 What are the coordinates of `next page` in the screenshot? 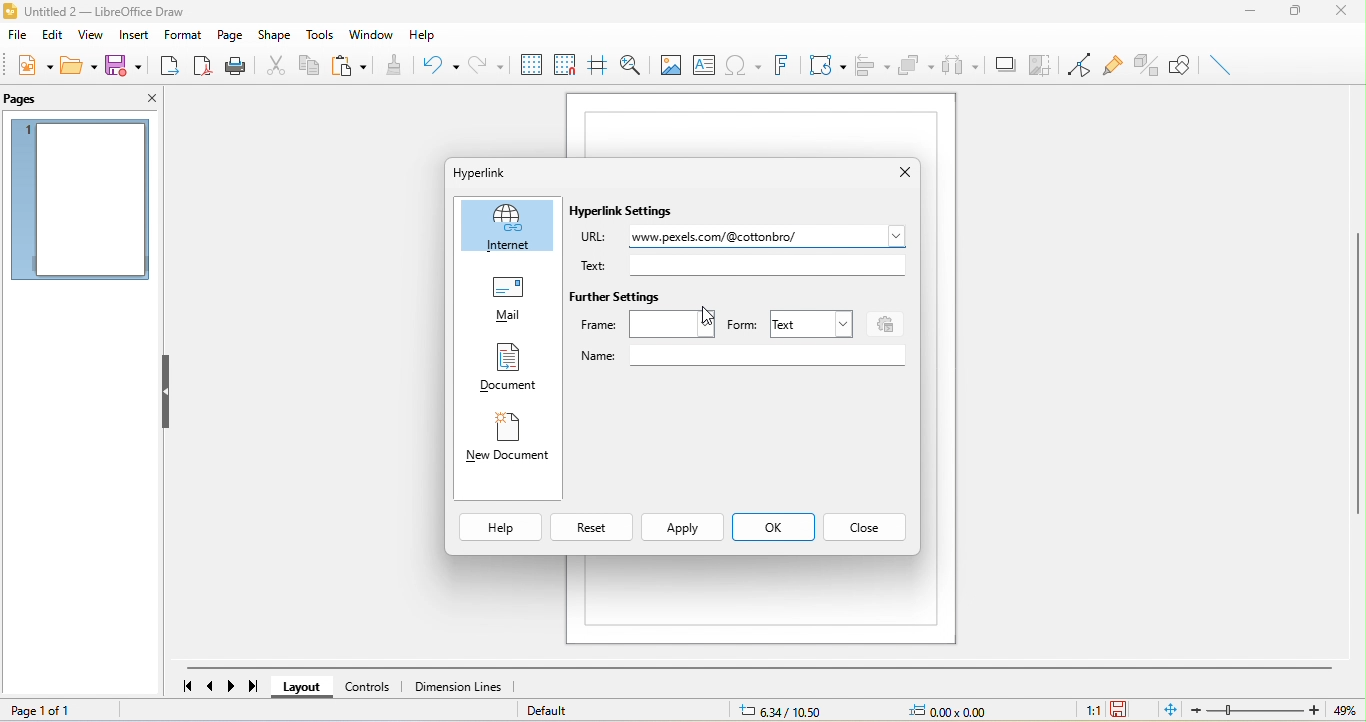 It's located at (234, 687).